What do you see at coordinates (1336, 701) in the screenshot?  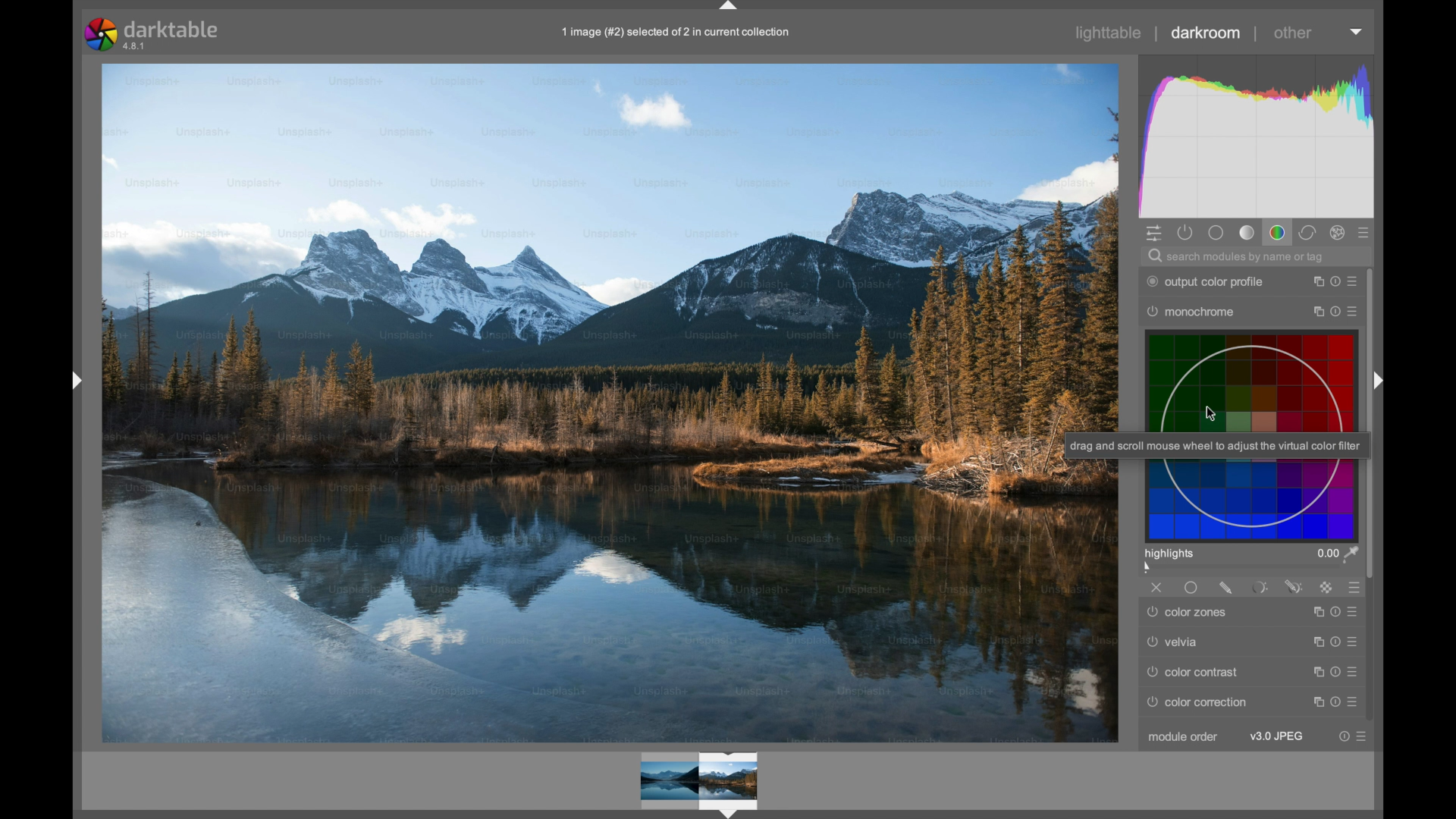 I see `reset` at bounding box center [1336, 701].